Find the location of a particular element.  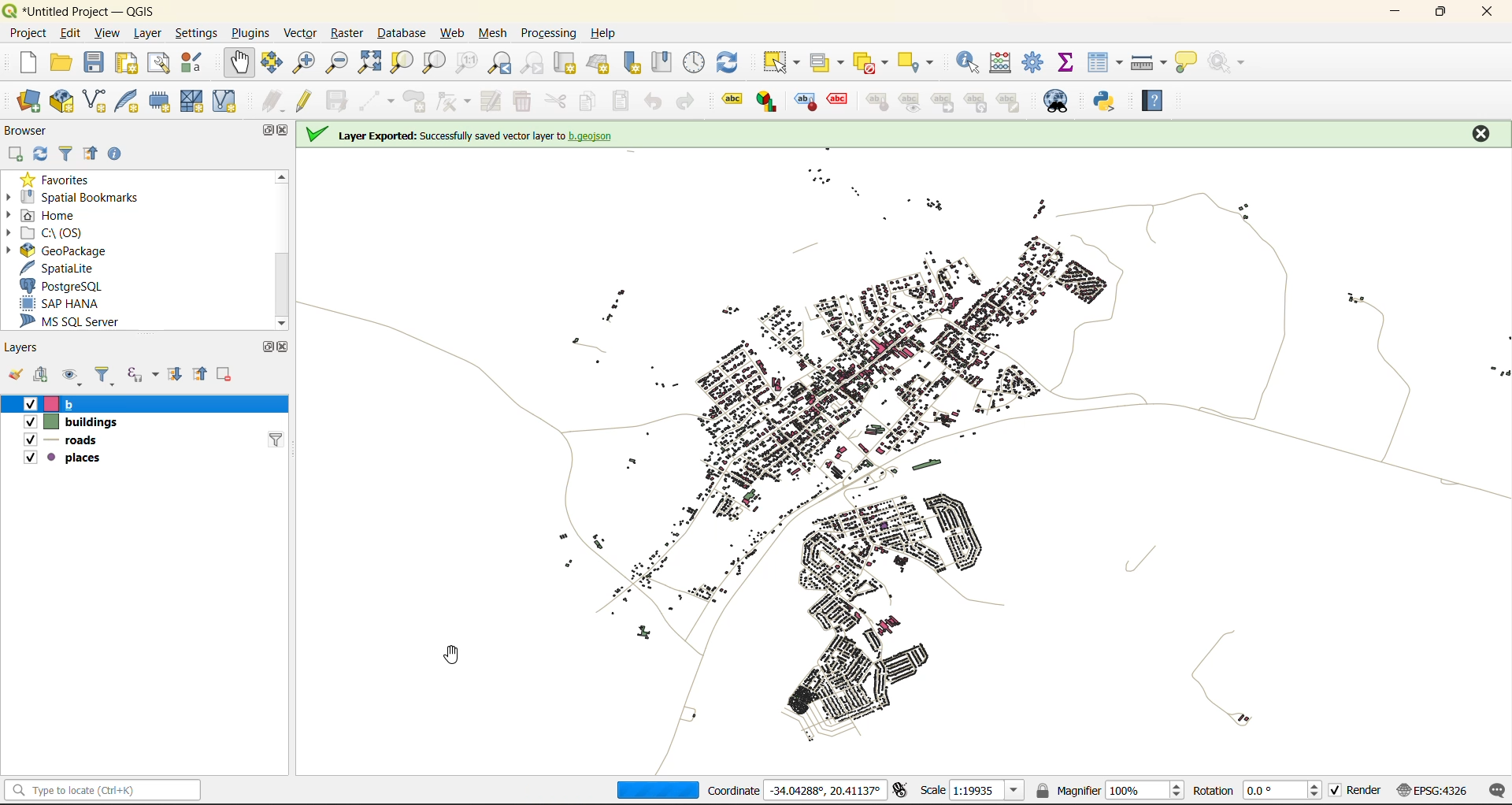

open is located at coordinates (58, 62).